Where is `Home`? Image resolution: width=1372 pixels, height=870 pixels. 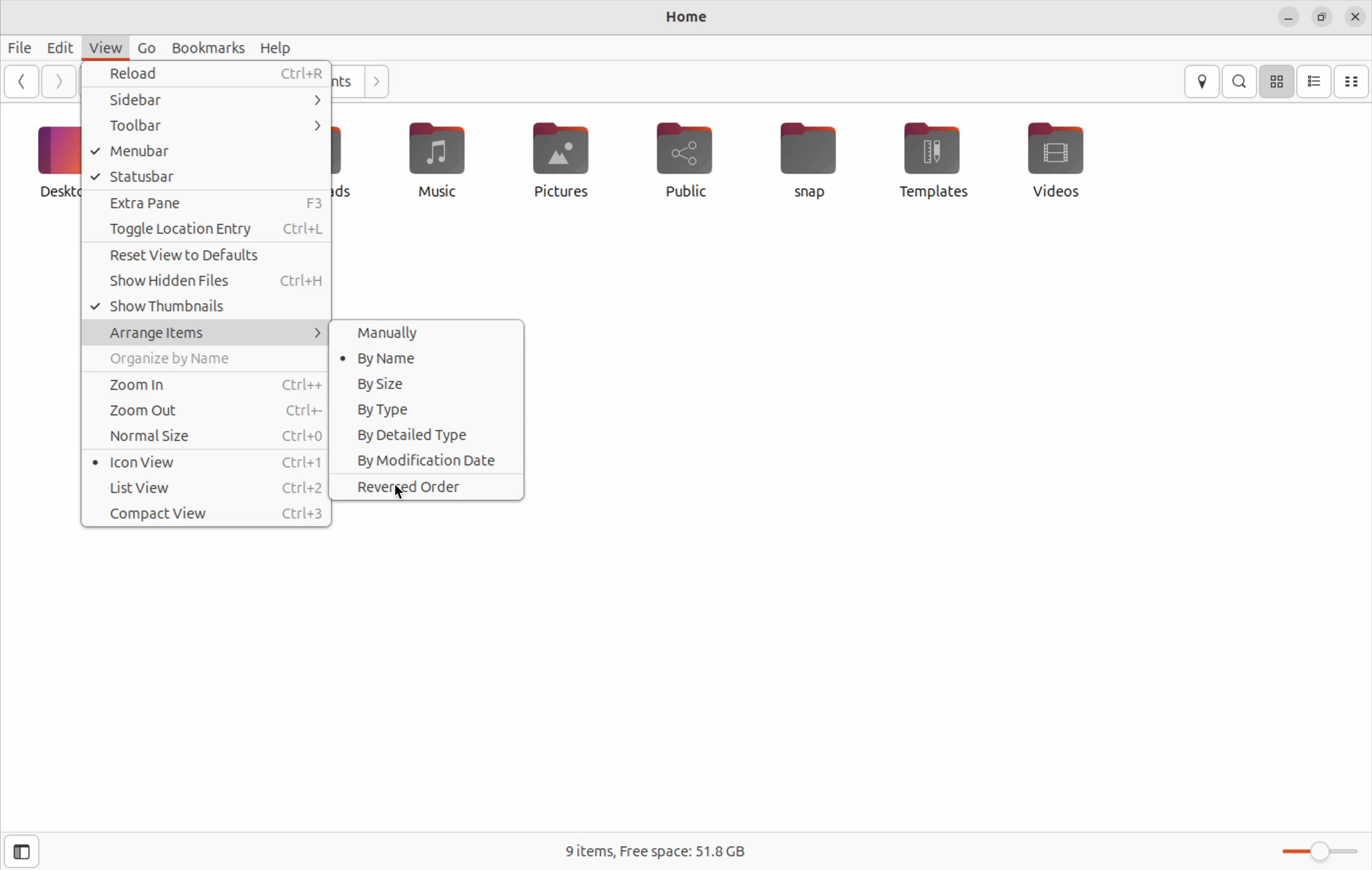
Home is located at coordinates (677, 19).